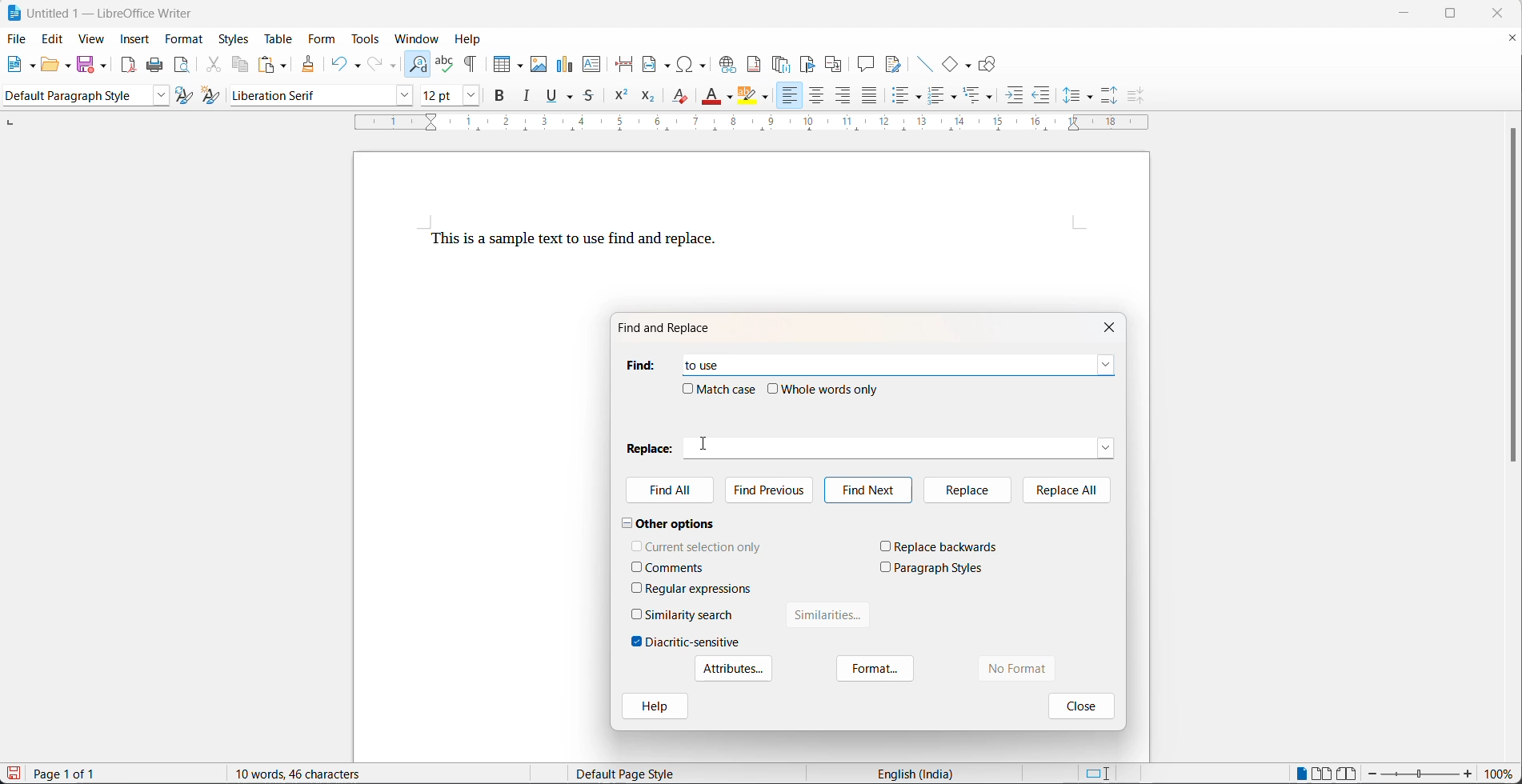 The width and height of the screenshot is (1522, 784). Describe the element at coordinates (394, 66) in the screenshot. I see `redo options` at that location.